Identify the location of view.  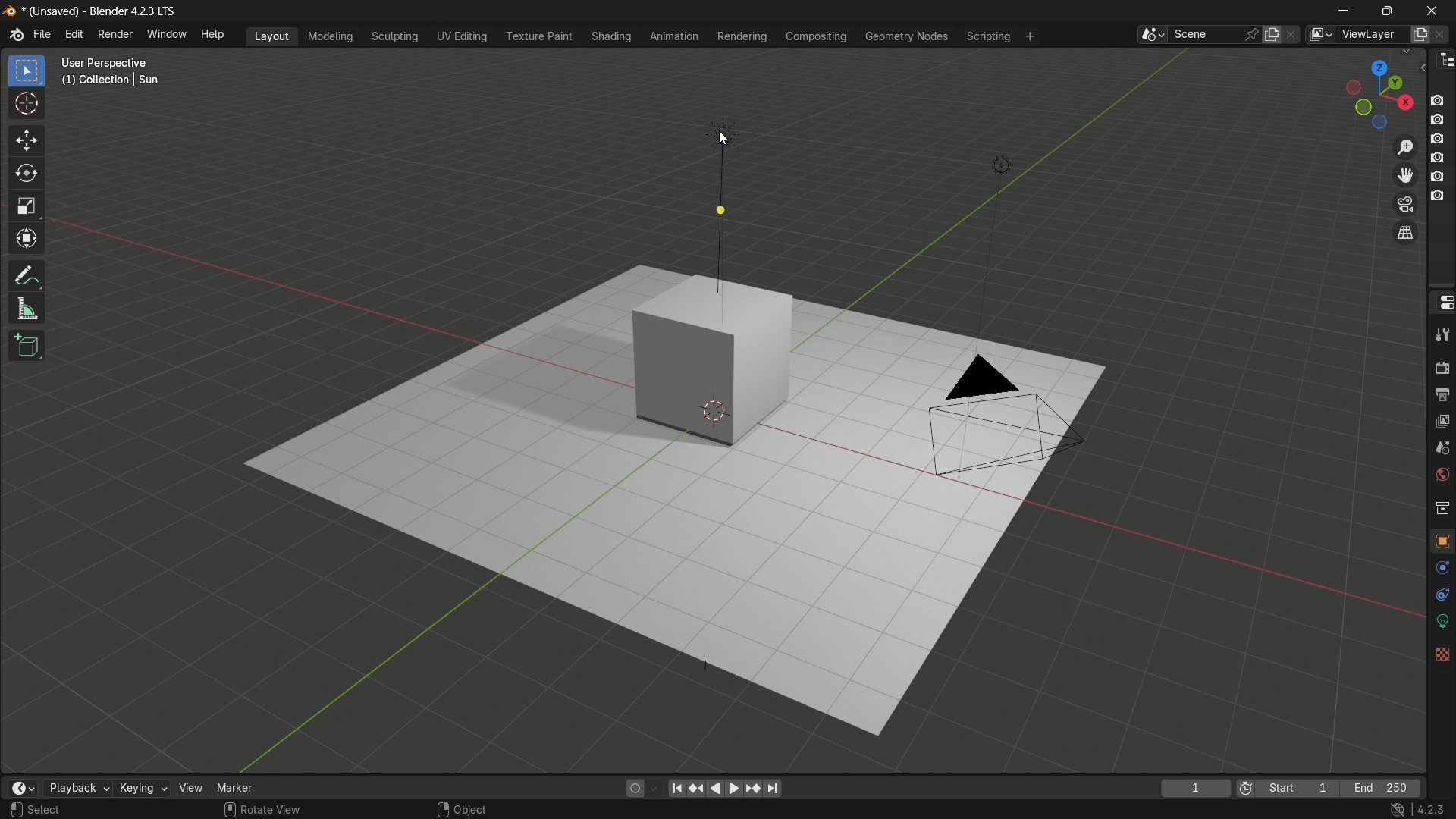
(189, 787).